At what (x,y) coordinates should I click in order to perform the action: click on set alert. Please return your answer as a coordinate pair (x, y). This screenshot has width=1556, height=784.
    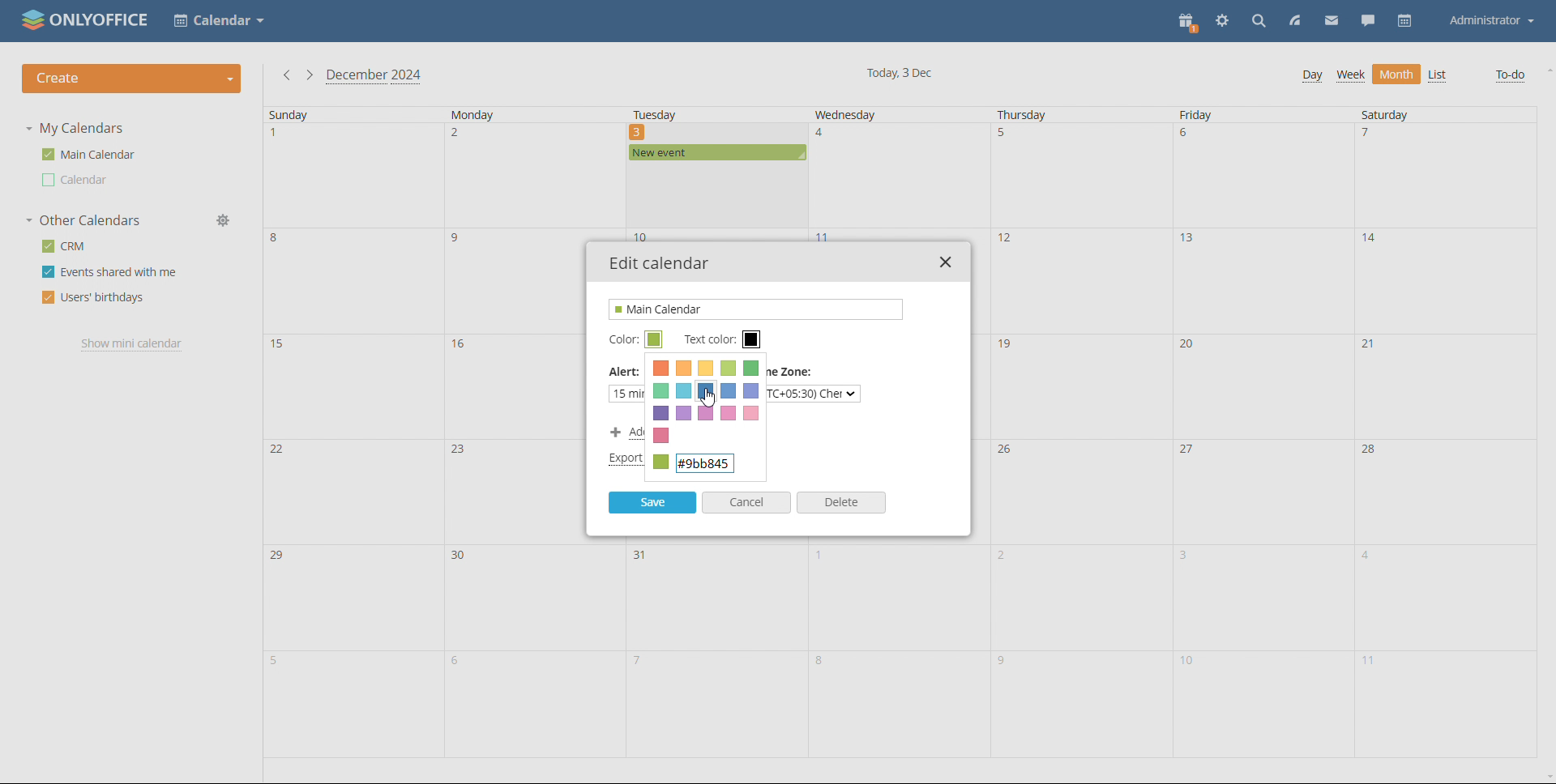
    Looking at the image, I should click on (673, 393).